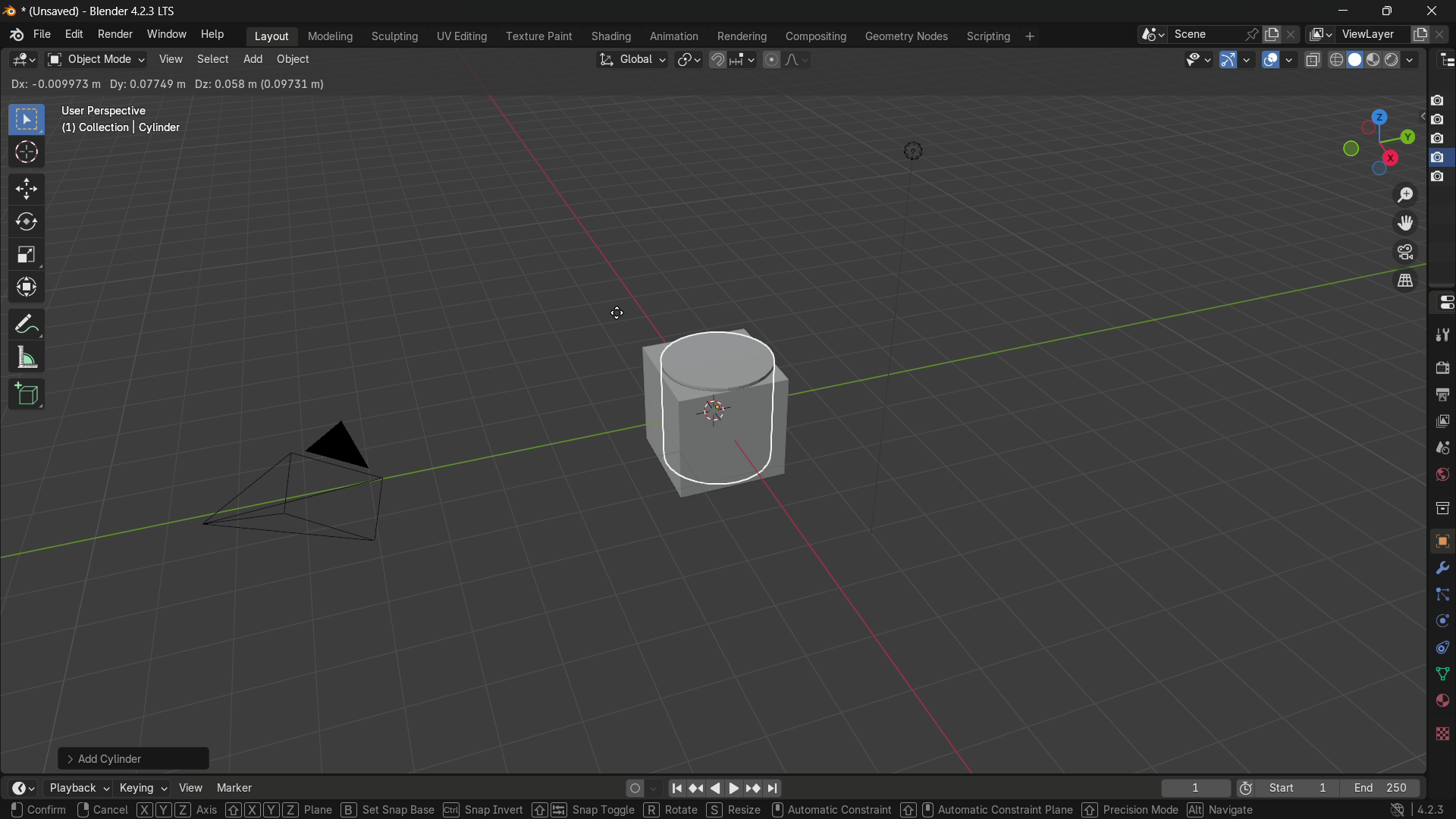  Describe the element at coordinates (311, 482) in the screenshot. I see `camera` at that location.